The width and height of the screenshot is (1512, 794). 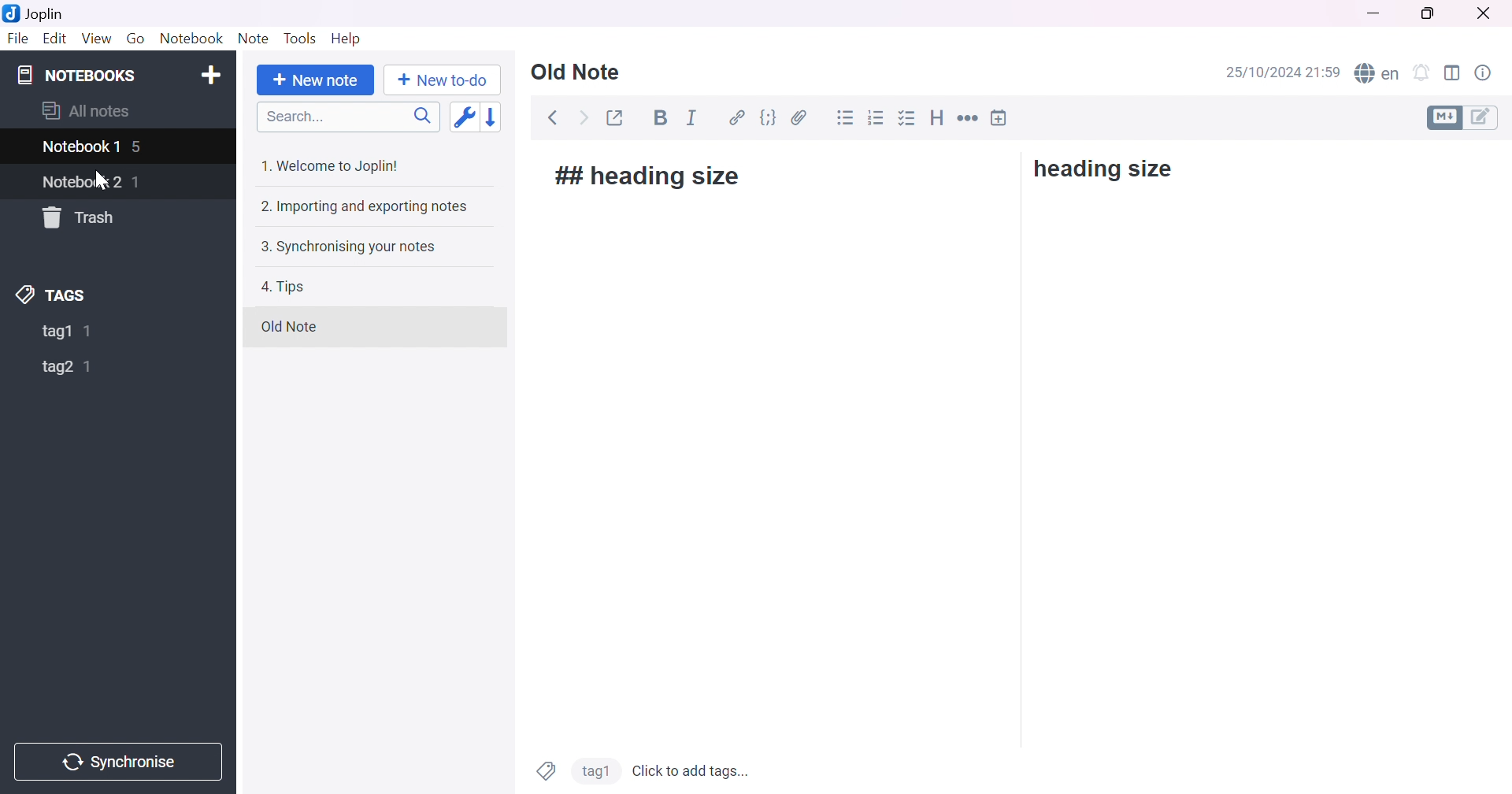 I want to click on Notebook, so click(x=188, y=39).